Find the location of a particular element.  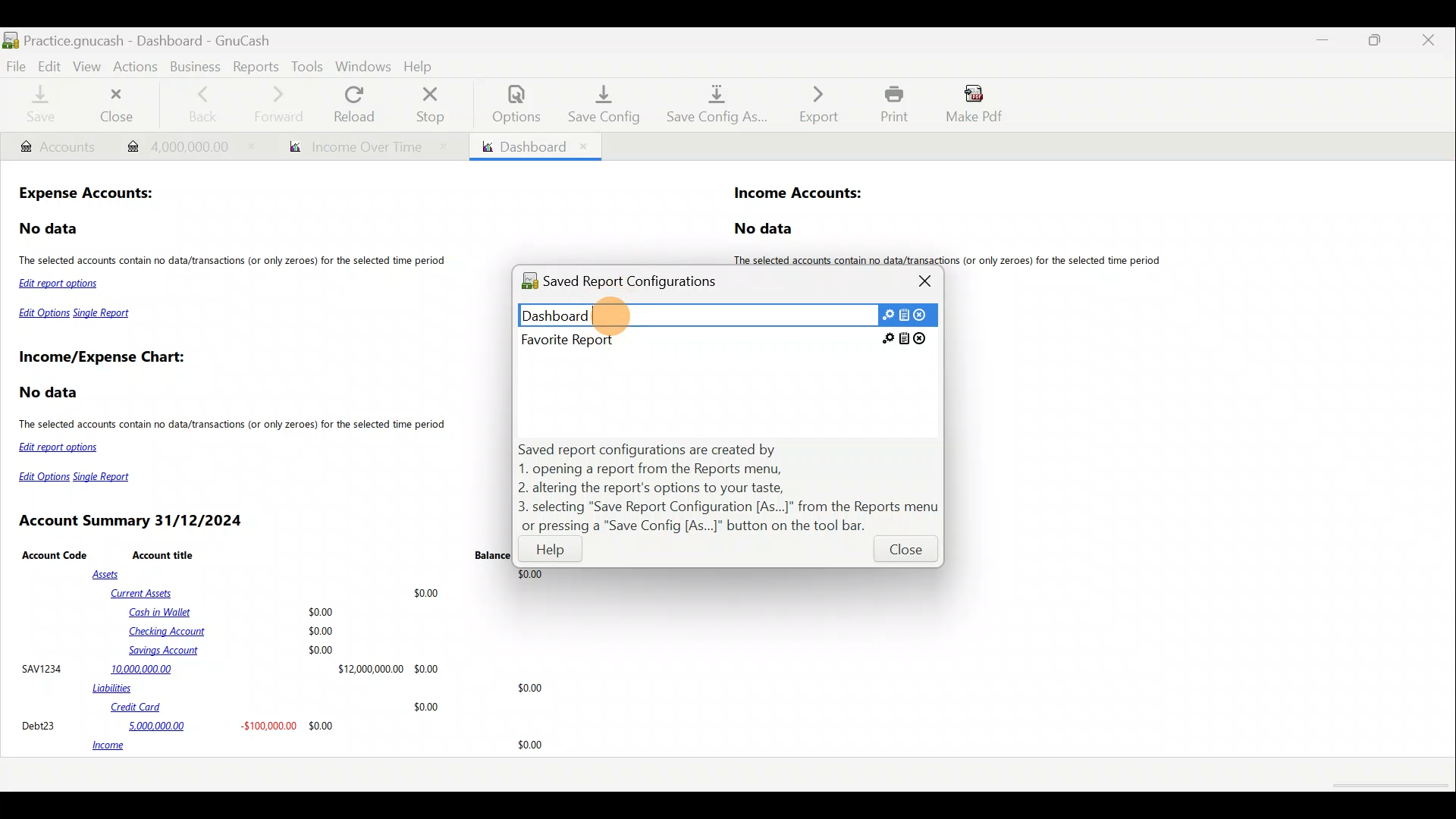

Cash in Wallet $0.00
Checking Account $0.00
Savings Account $0.00 is located at coordinates (234, 631).